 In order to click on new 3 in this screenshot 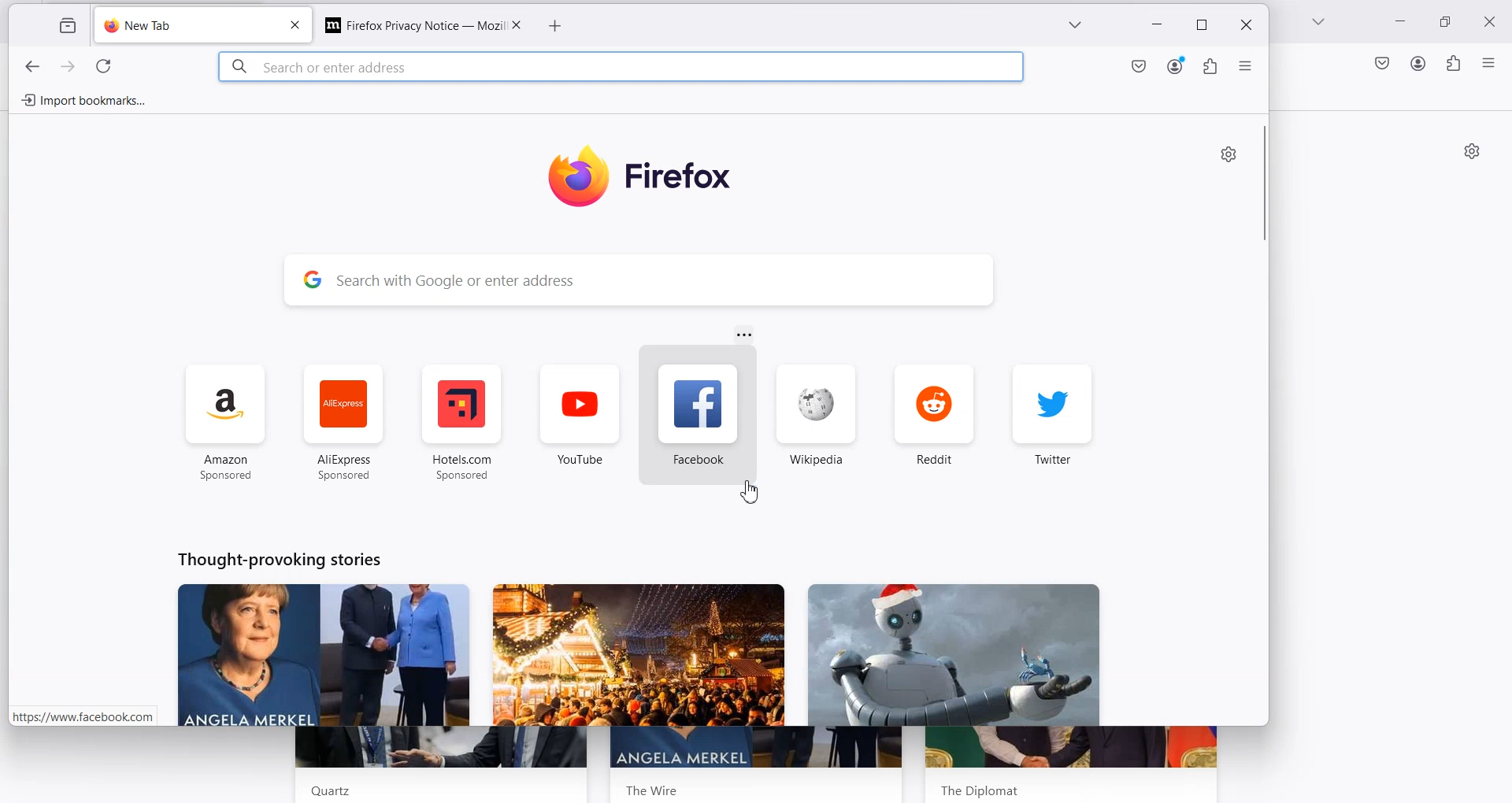, I will do `click(958, 655)`.